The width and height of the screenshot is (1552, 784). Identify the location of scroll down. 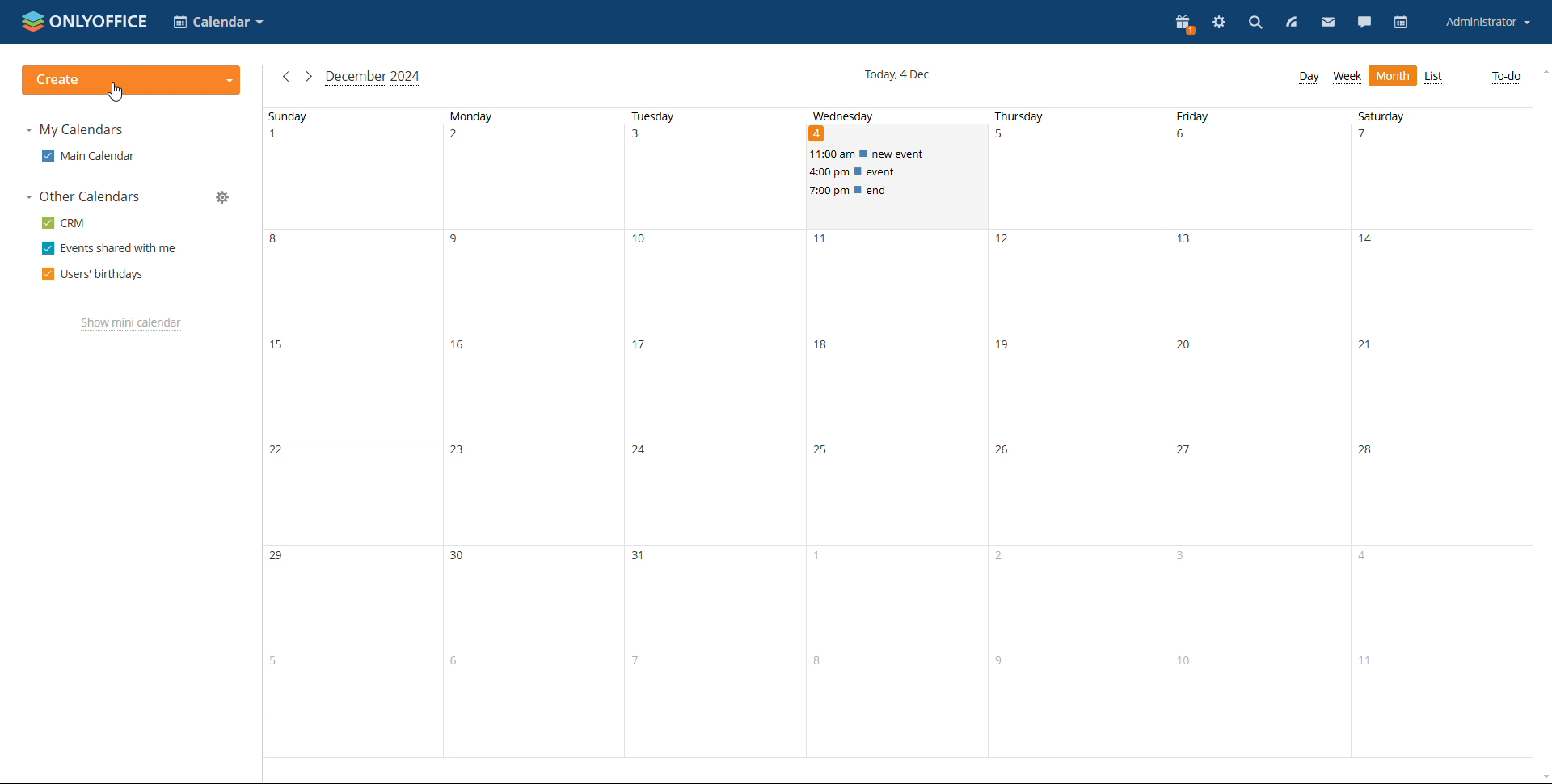
(1542, 776).